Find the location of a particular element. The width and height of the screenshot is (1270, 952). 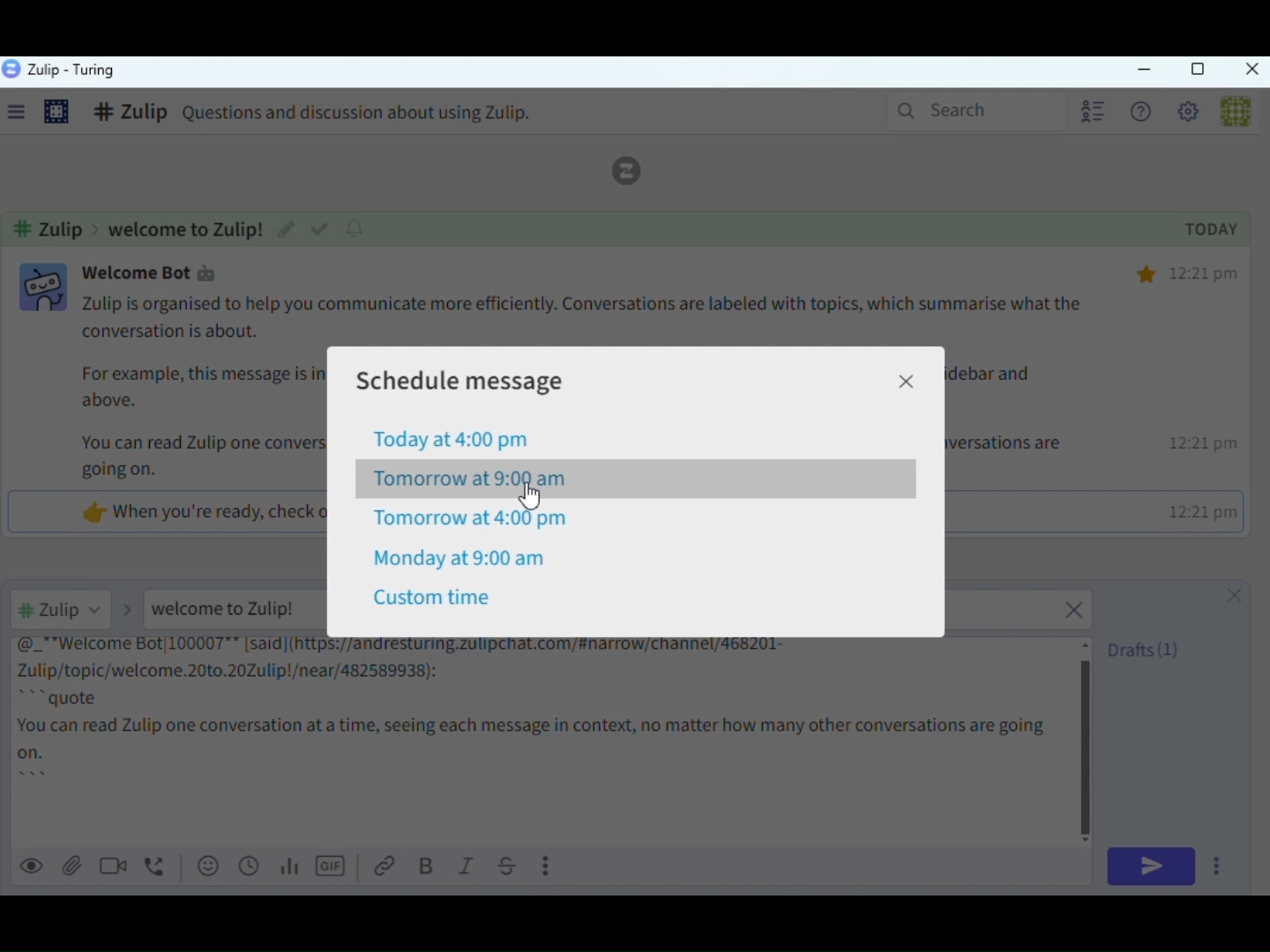

Tomorrow at 4:00 pm is located at coordinates (472, 519).